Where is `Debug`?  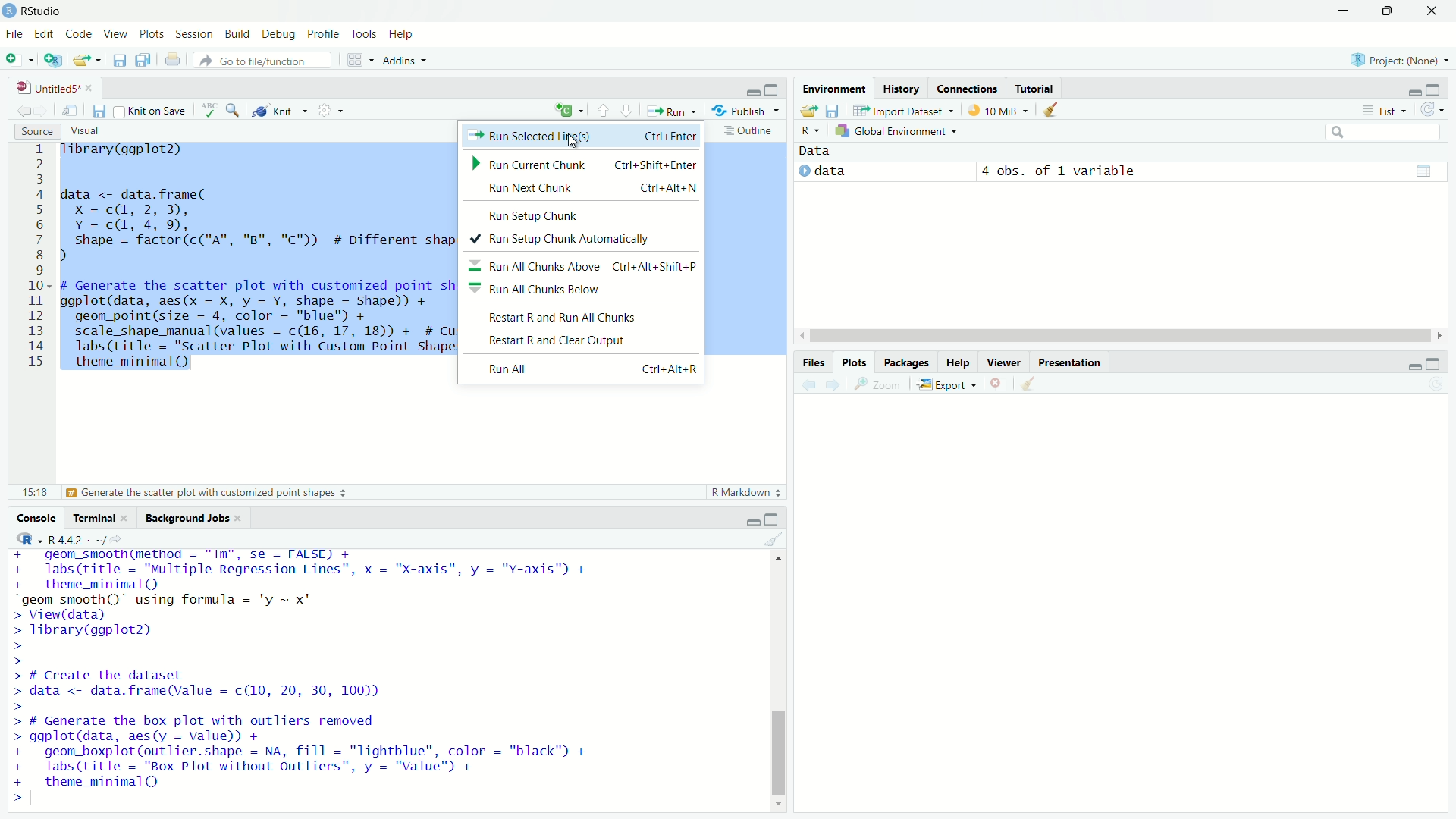
Debug is located at coordinates (278, 34).